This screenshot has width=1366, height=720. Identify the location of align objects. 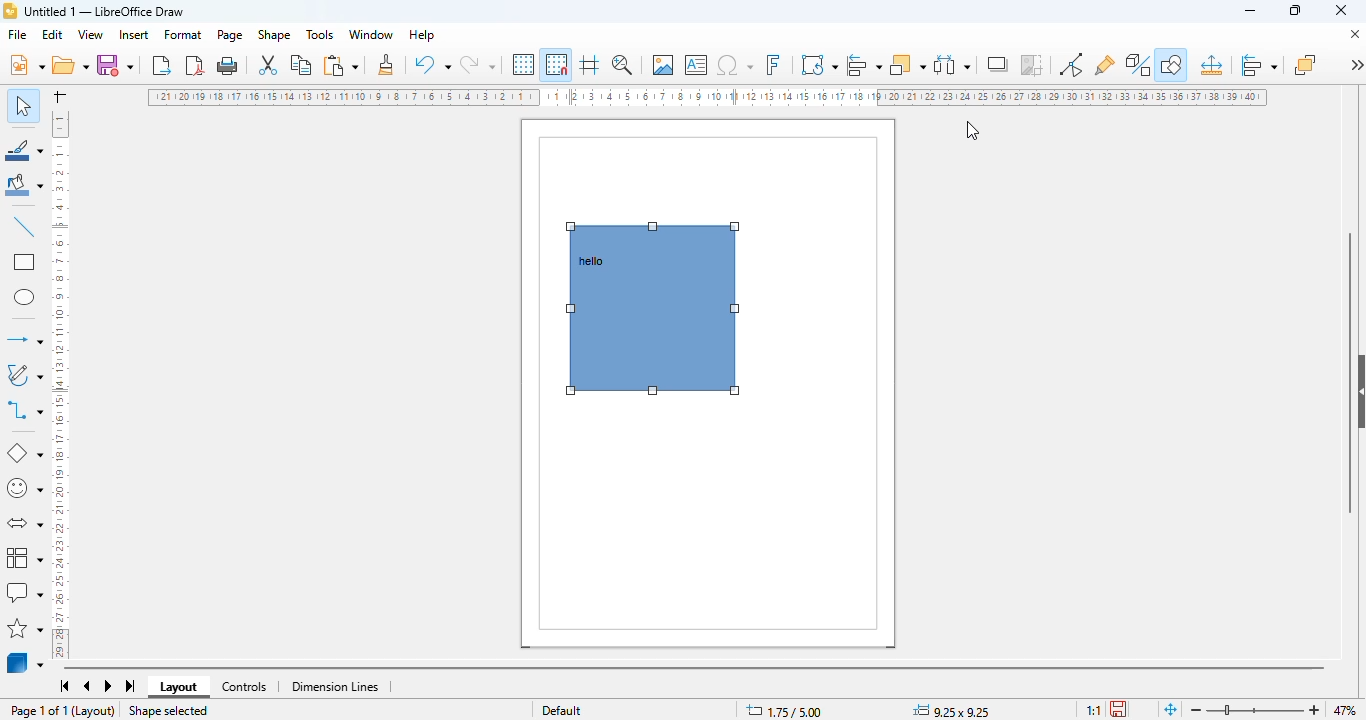
(863, 64).